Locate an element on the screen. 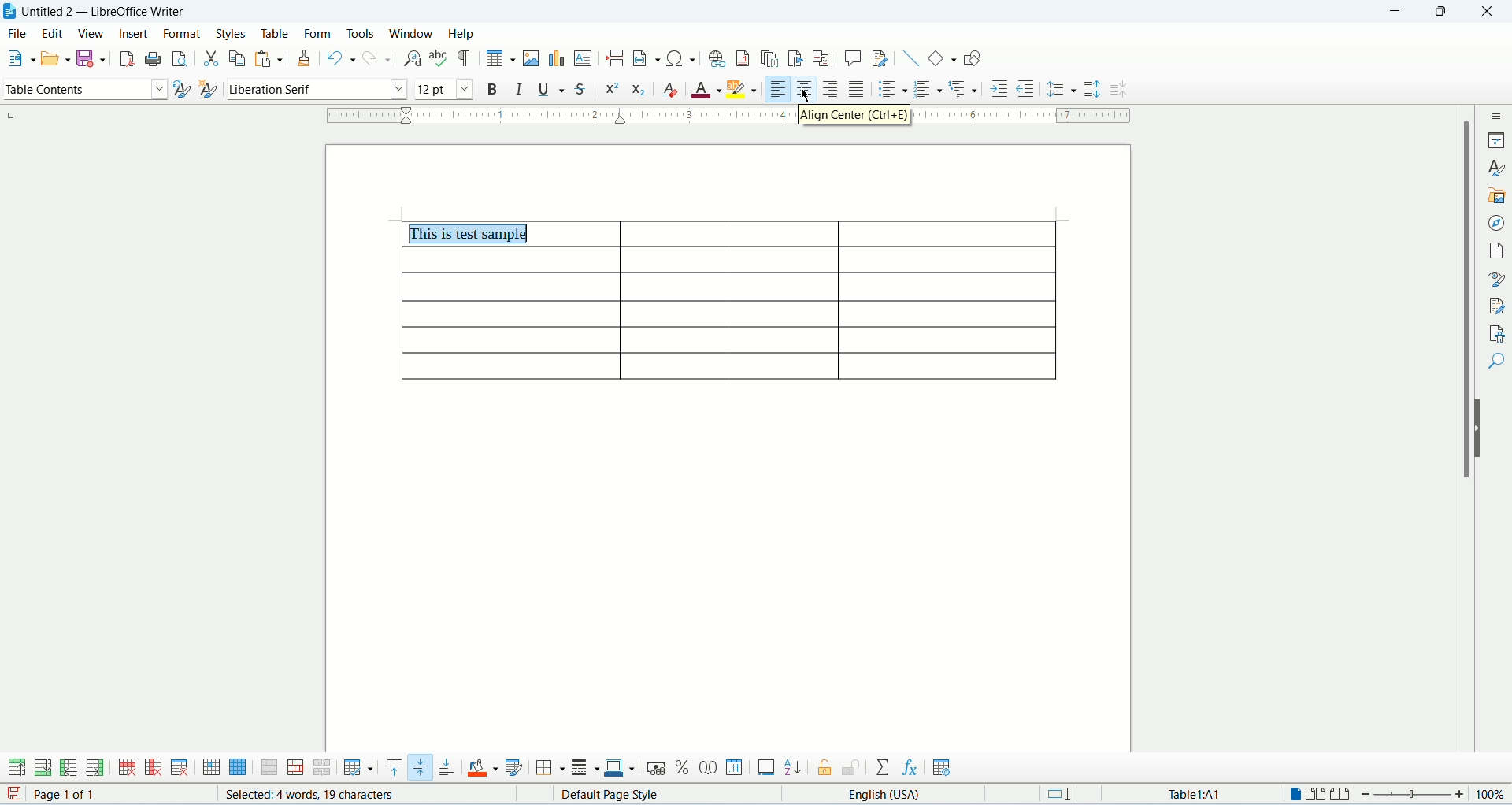 This screenshot has height=805, width=1512. delete row is located at coordinates (129, 769).